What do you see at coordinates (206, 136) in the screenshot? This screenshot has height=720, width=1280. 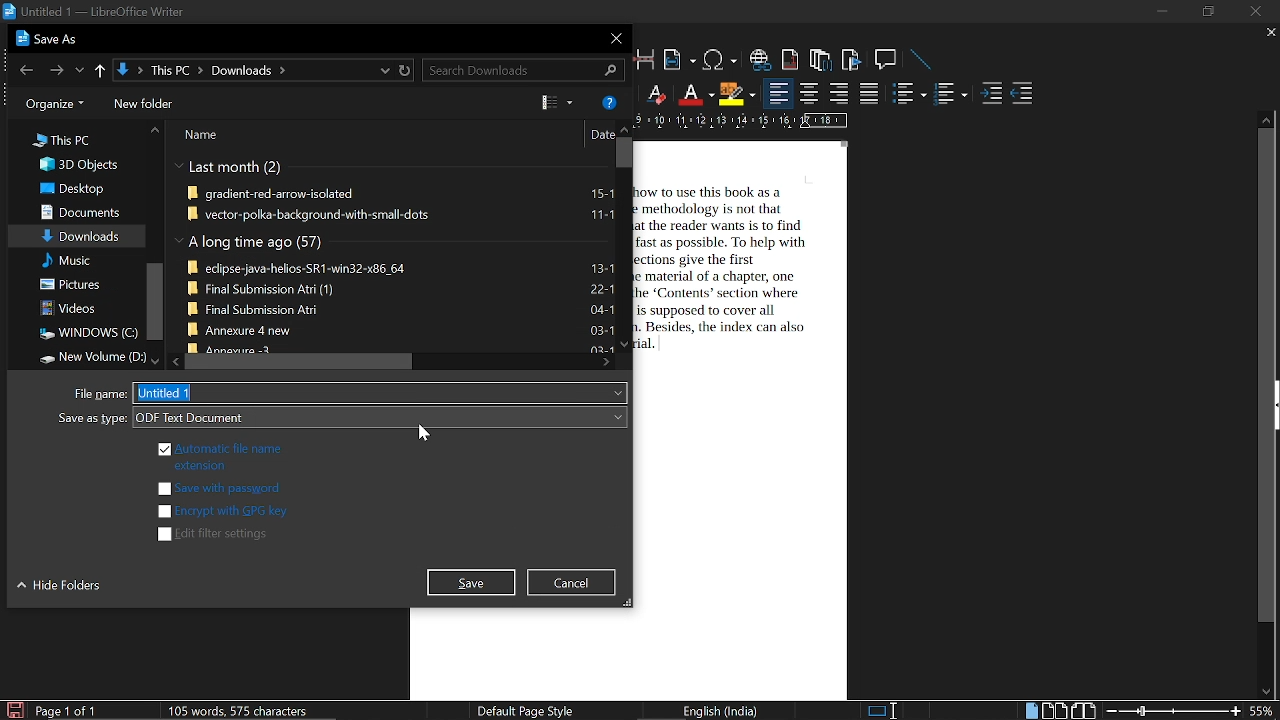 I see `Name` at bounding box center [206, 136].